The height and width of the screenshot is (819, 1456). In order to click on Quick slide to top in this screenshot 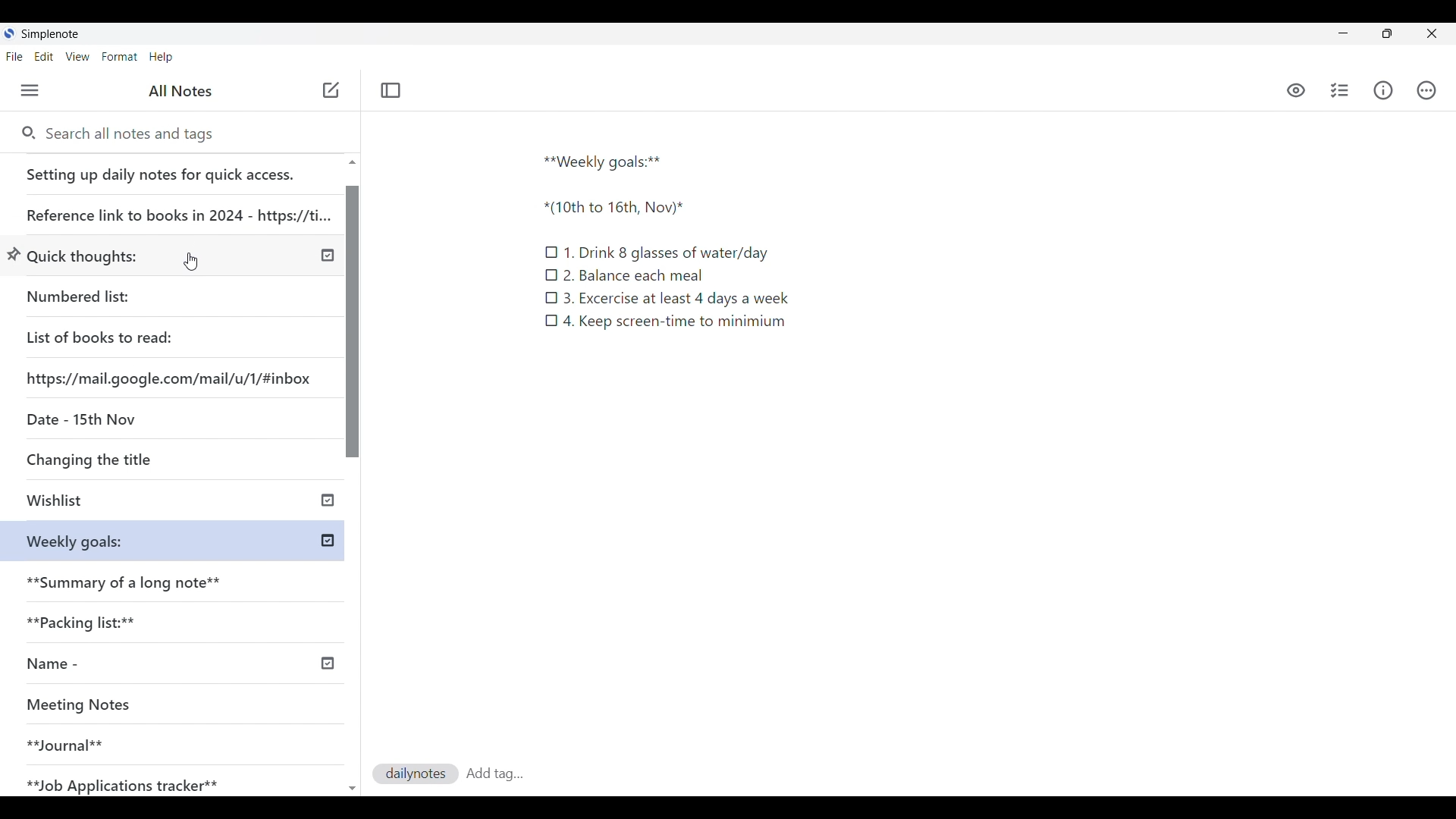, I will do `click(352, 162)`.